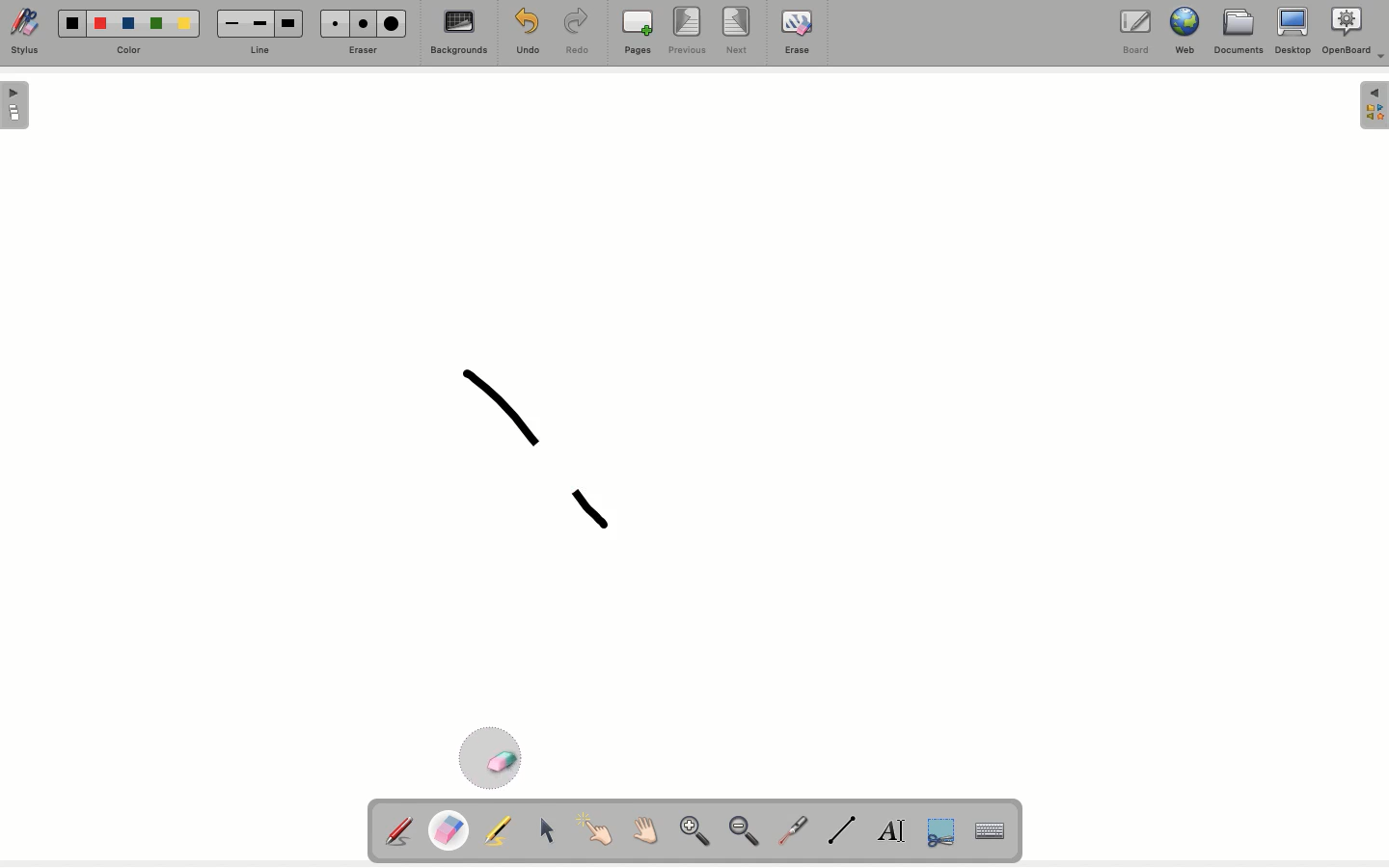 The width and height of the screenshot is (1389, 868). Describe the element at coordinates (362, 51) in the screenshot. I see `Erase` at that location.